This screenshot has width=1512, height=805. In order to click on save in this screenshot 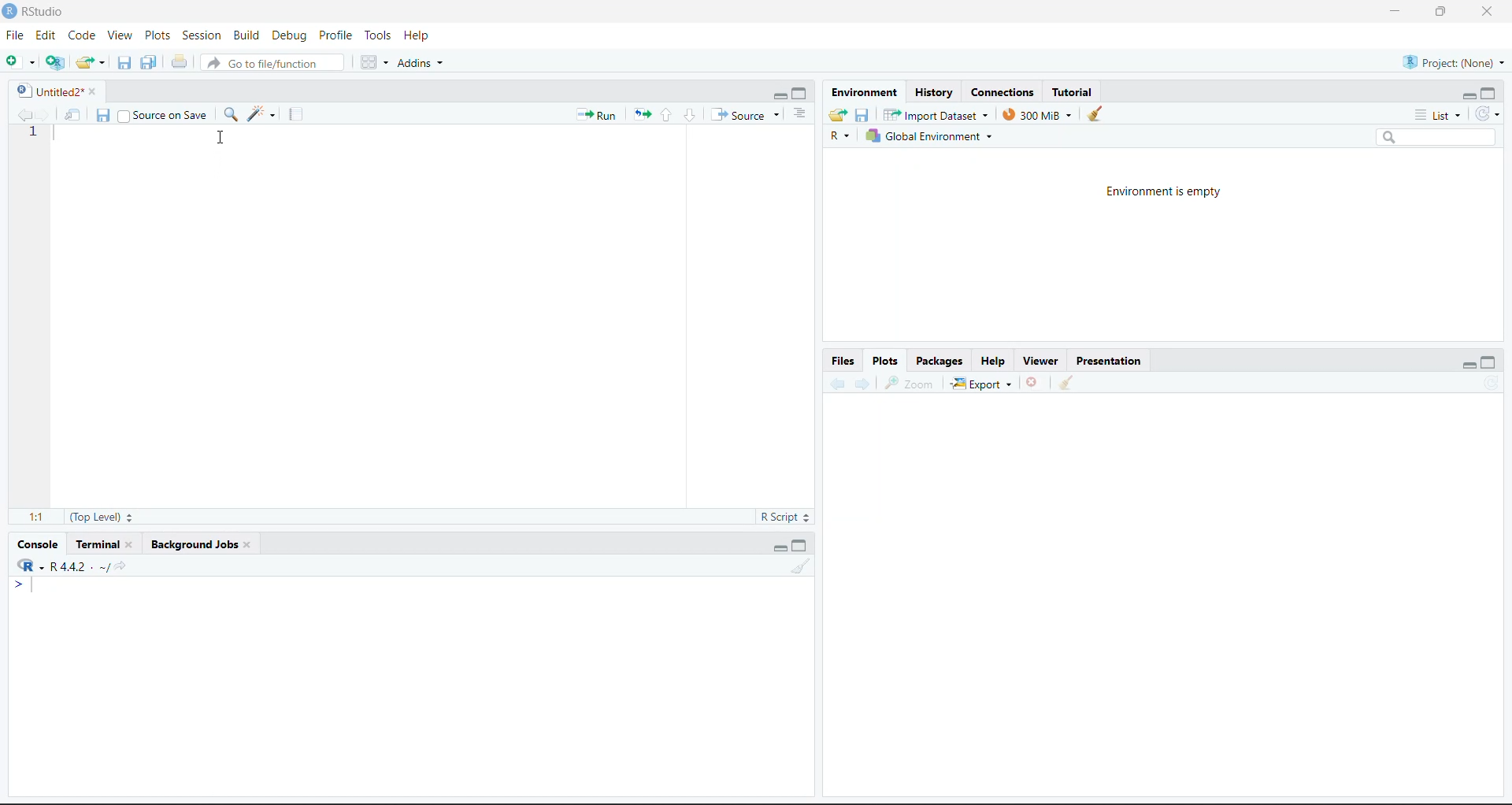, I will do `click(862, 114)`.